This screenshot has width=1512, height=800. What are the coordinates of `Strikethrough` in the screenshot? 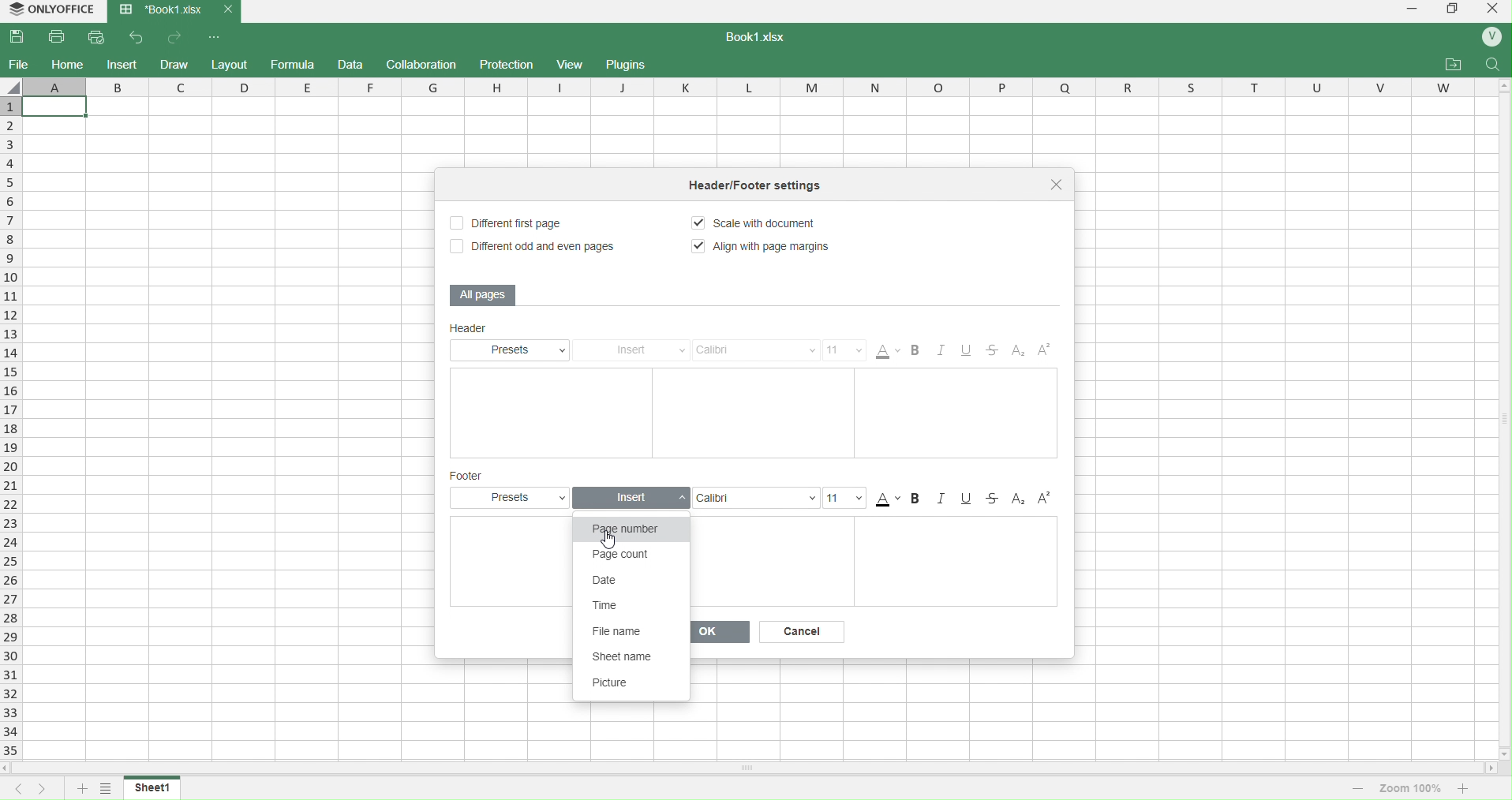 It's located at (995, 499).